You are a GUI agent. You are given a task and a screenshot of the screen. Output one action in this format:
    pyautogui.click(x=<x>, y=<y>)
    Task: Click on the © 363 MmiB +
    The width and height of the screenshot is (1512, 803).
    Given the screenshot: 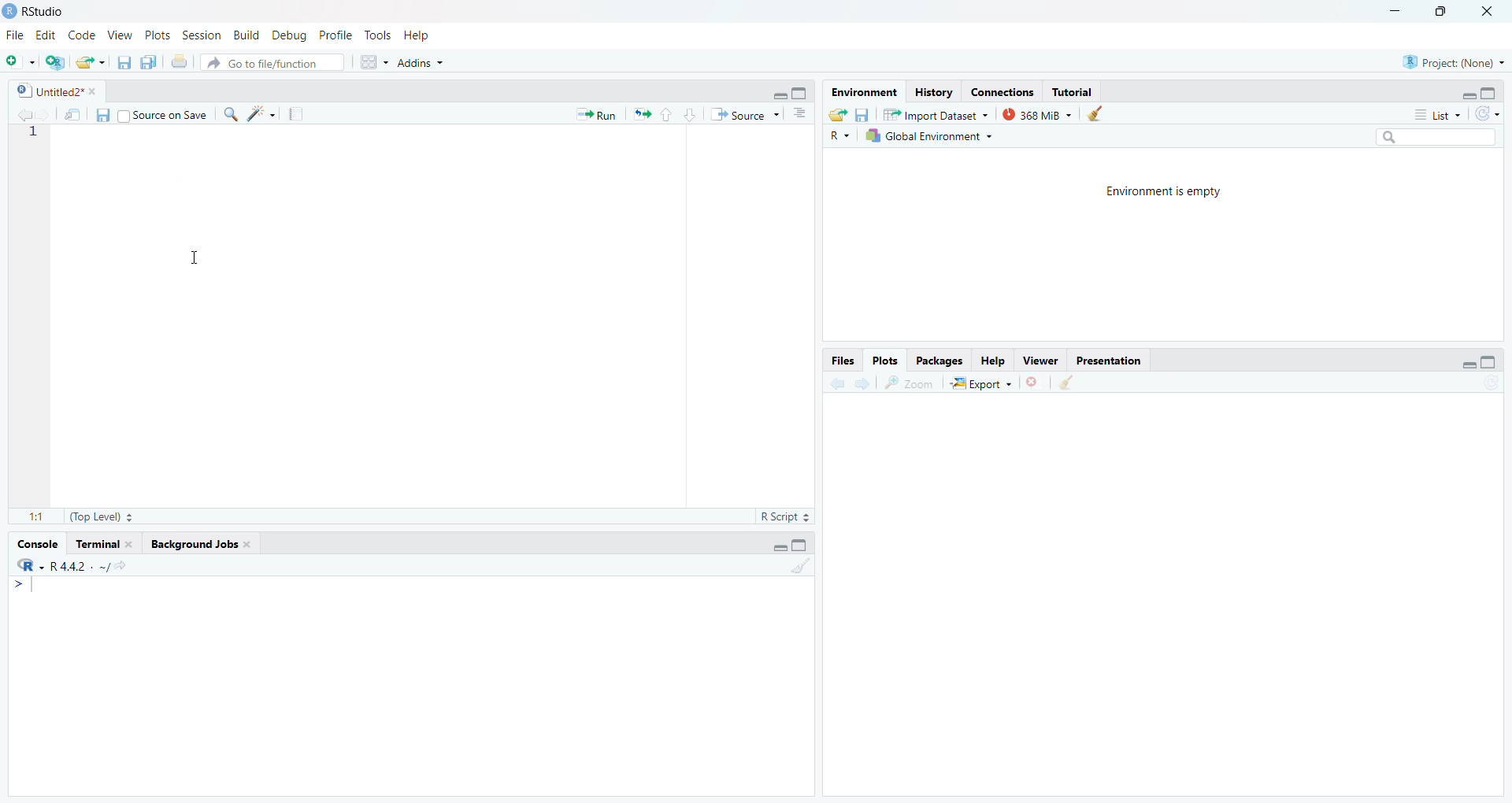 What is the action you would take?
    pyautogui.click(x=1039, y=115)
    